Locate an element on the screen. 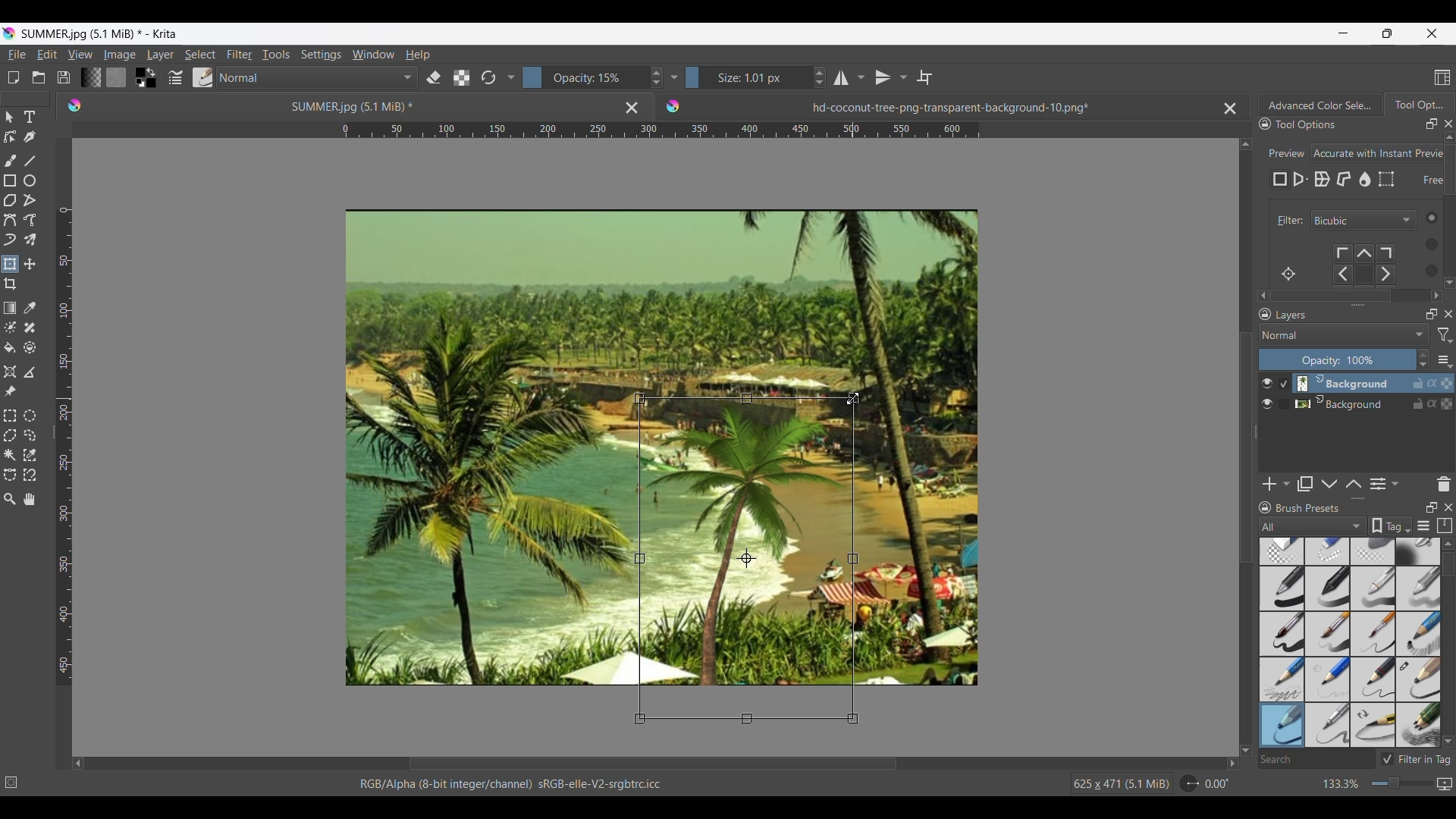  Multibrush tool is located at coordinates (29, 240).